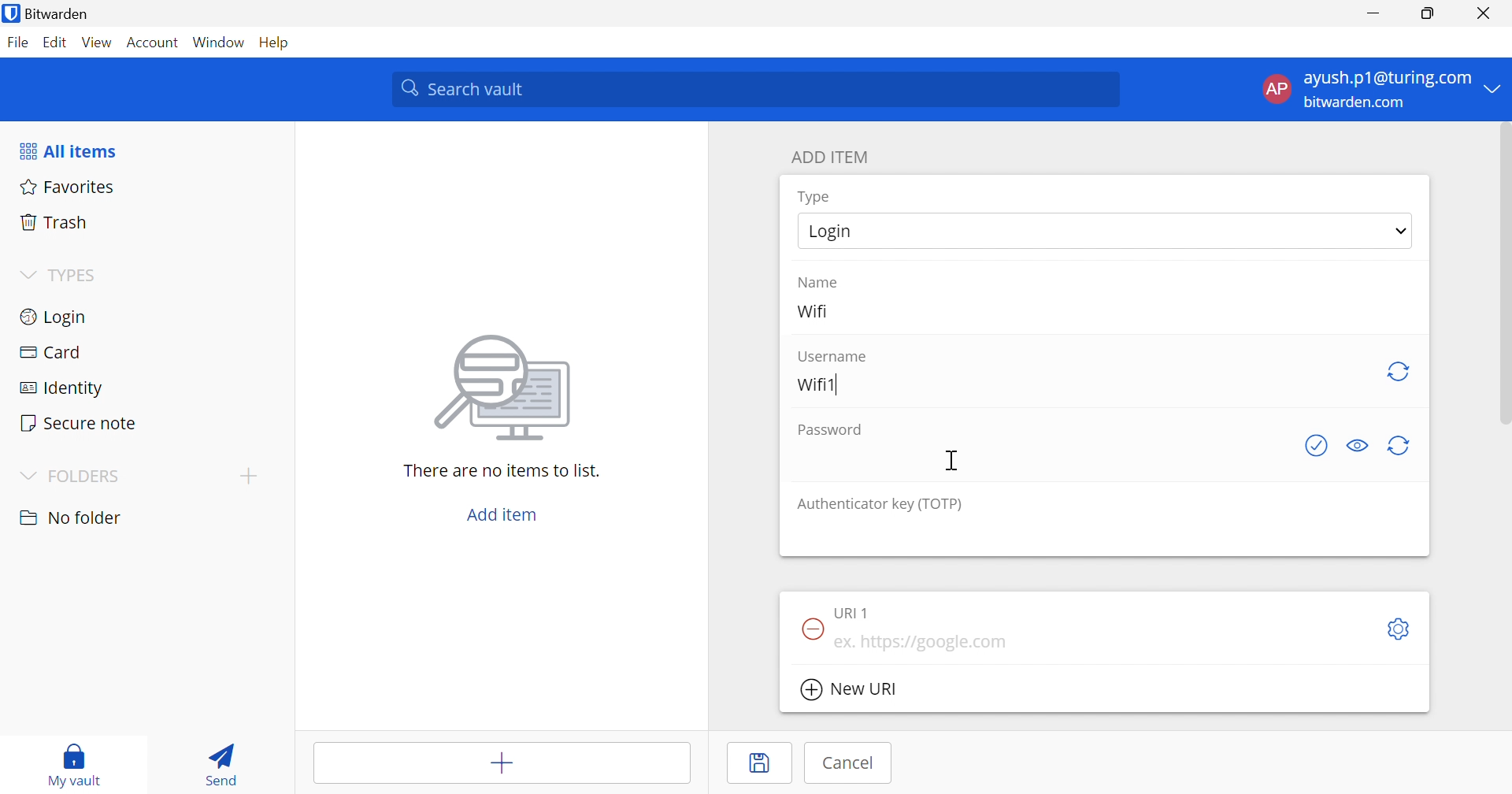 Image resolution: width=1512 pixels, height=794 pixels. What do you see at coordinates (1487, 13) in the screenshot?
I see `Close` at bounding box center [1487, 13].